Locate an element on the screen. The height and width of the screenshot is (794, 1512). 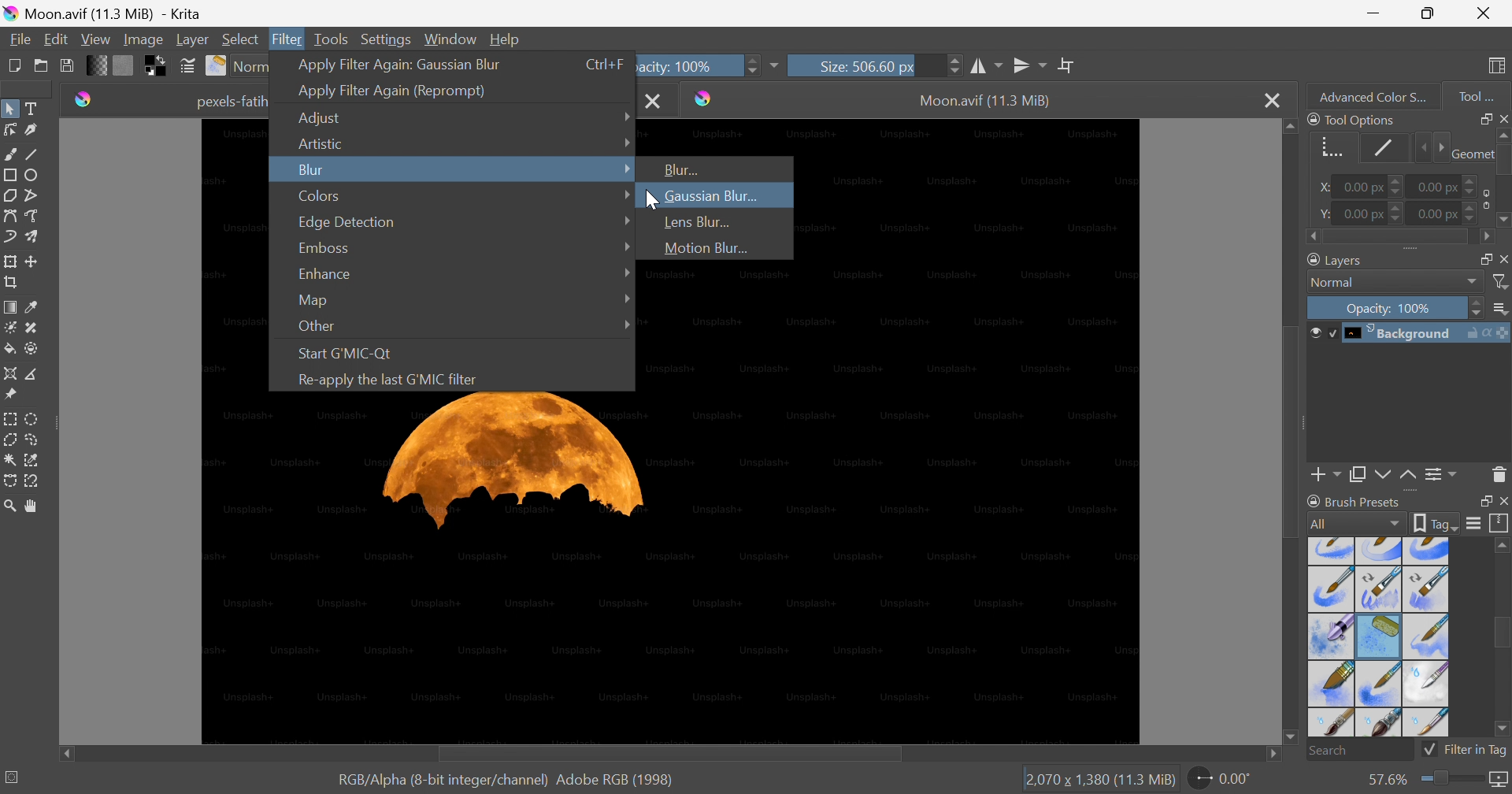
Reference Images tool is located at coordinates (13, 393).